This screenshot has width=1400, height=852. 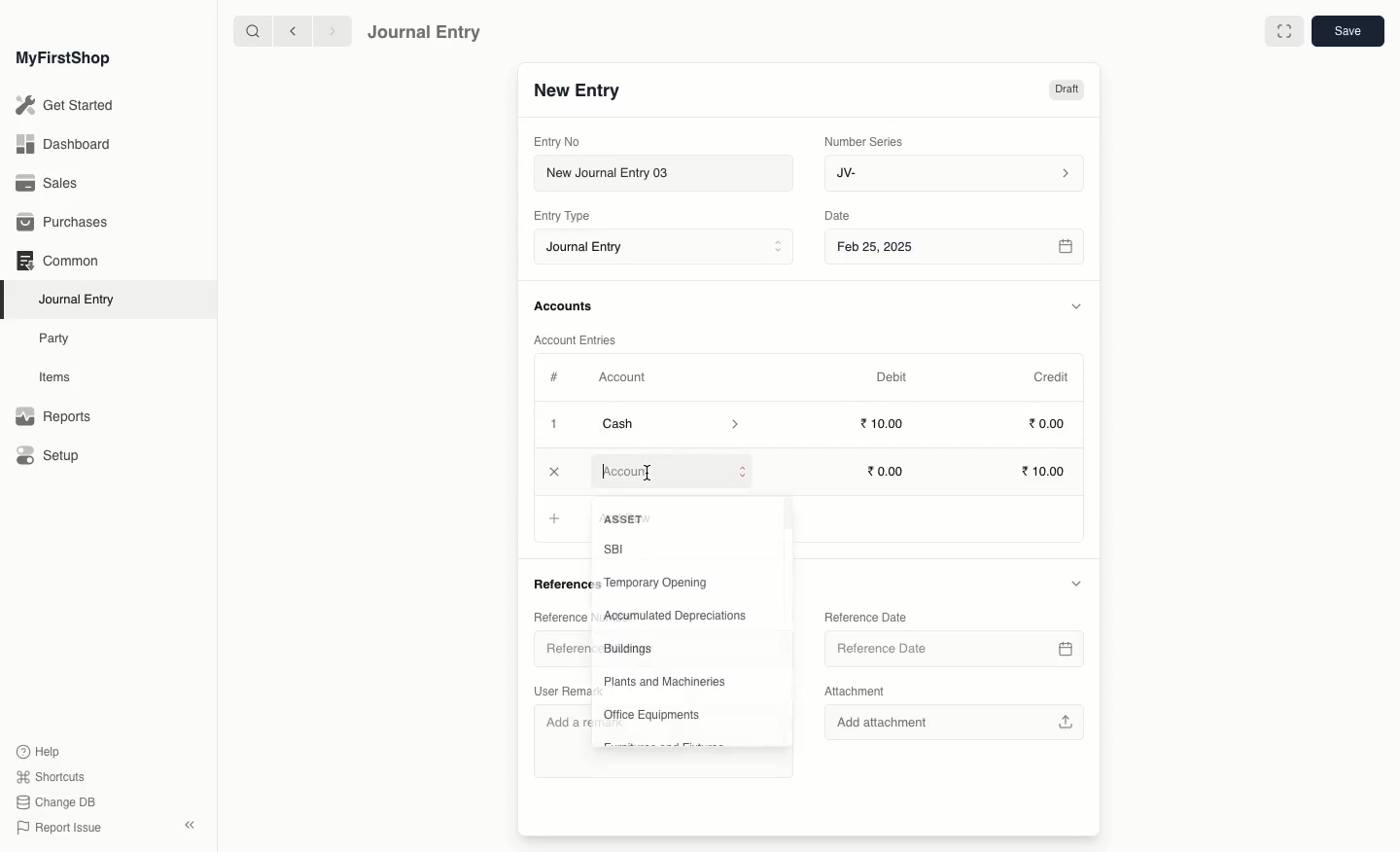 What do you see at coordinates (621, 377) in the screenshot?
I see `Account` at bounding box center [621, 377].